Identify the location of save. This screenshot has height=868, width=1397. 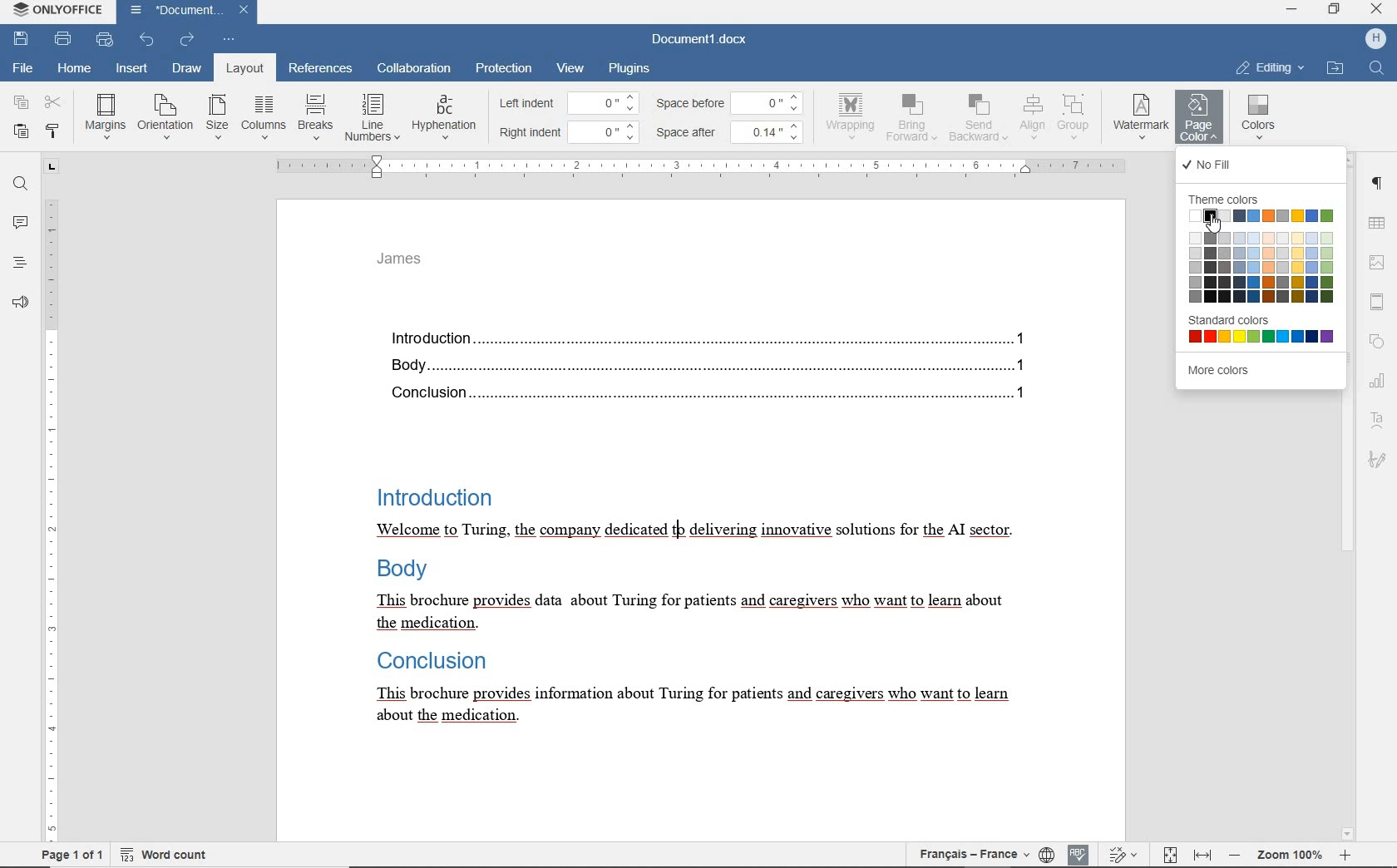
(23, 38).